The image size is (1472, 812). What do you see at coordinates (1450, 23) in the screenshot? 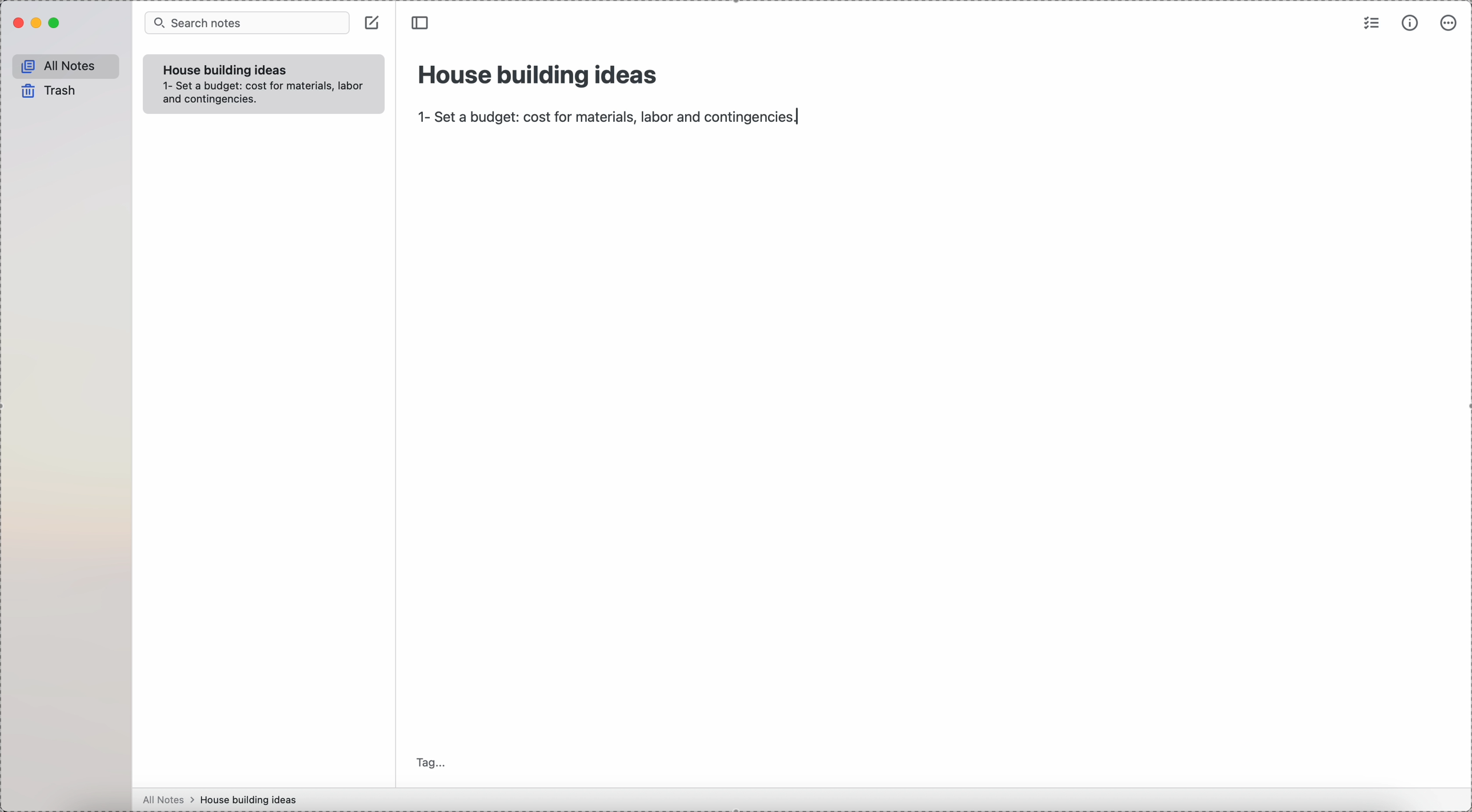
I see `more options` at bounding box center [1450, 23].